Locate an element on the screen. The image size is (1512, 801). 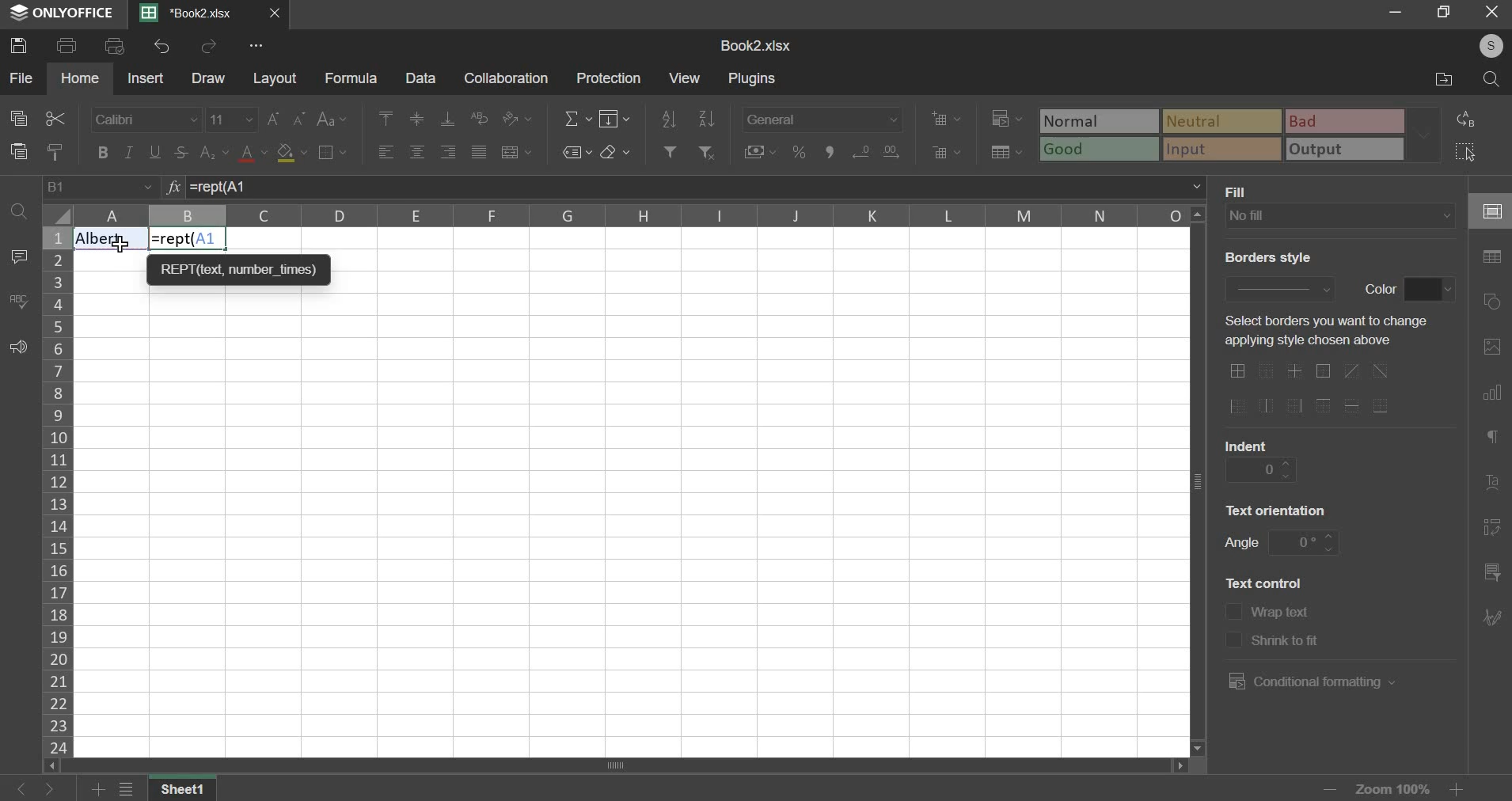
data is located at coordinates (424, 78).